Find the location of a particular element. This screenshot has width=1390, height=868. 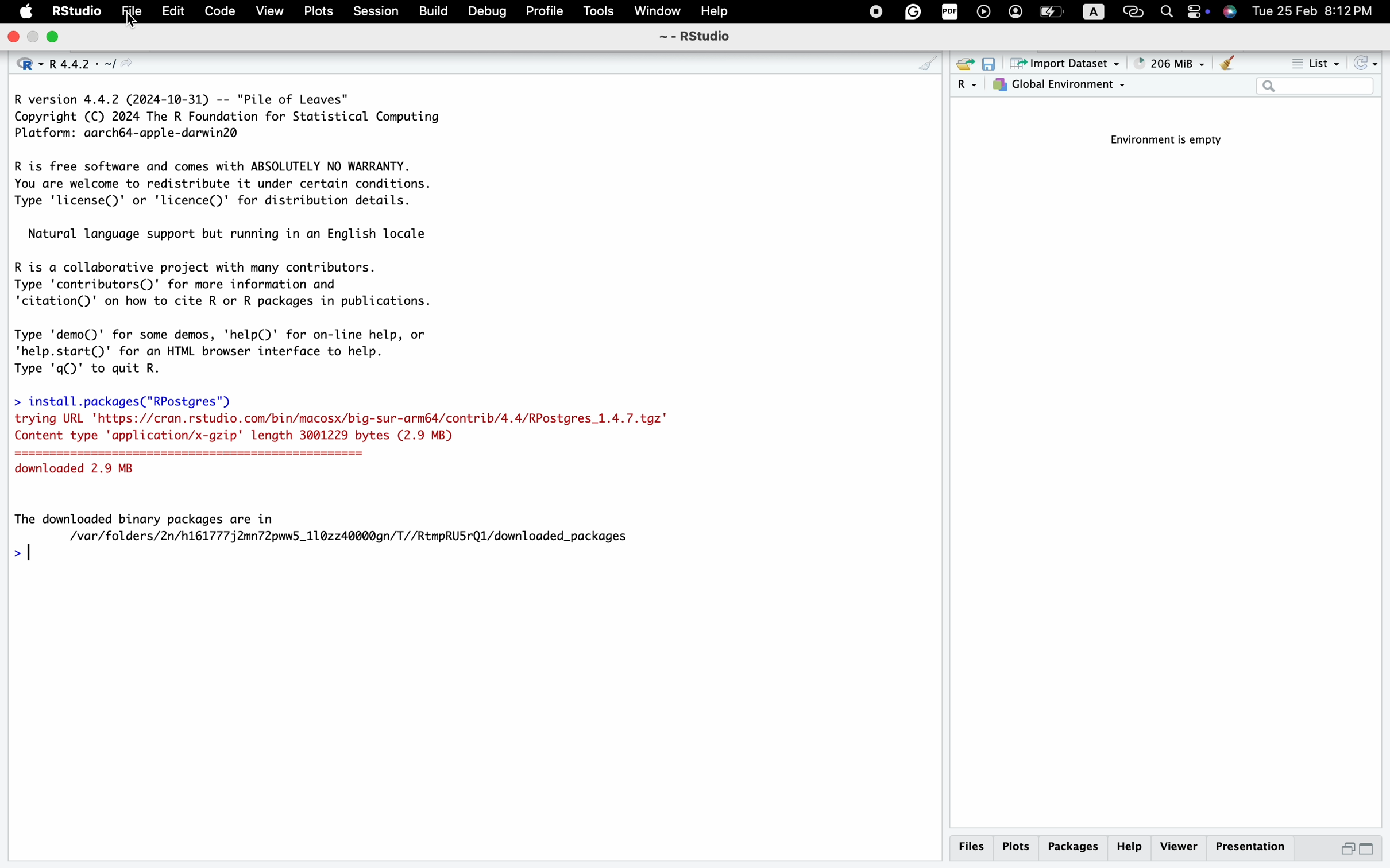

session is located at coordinates (376, 10).